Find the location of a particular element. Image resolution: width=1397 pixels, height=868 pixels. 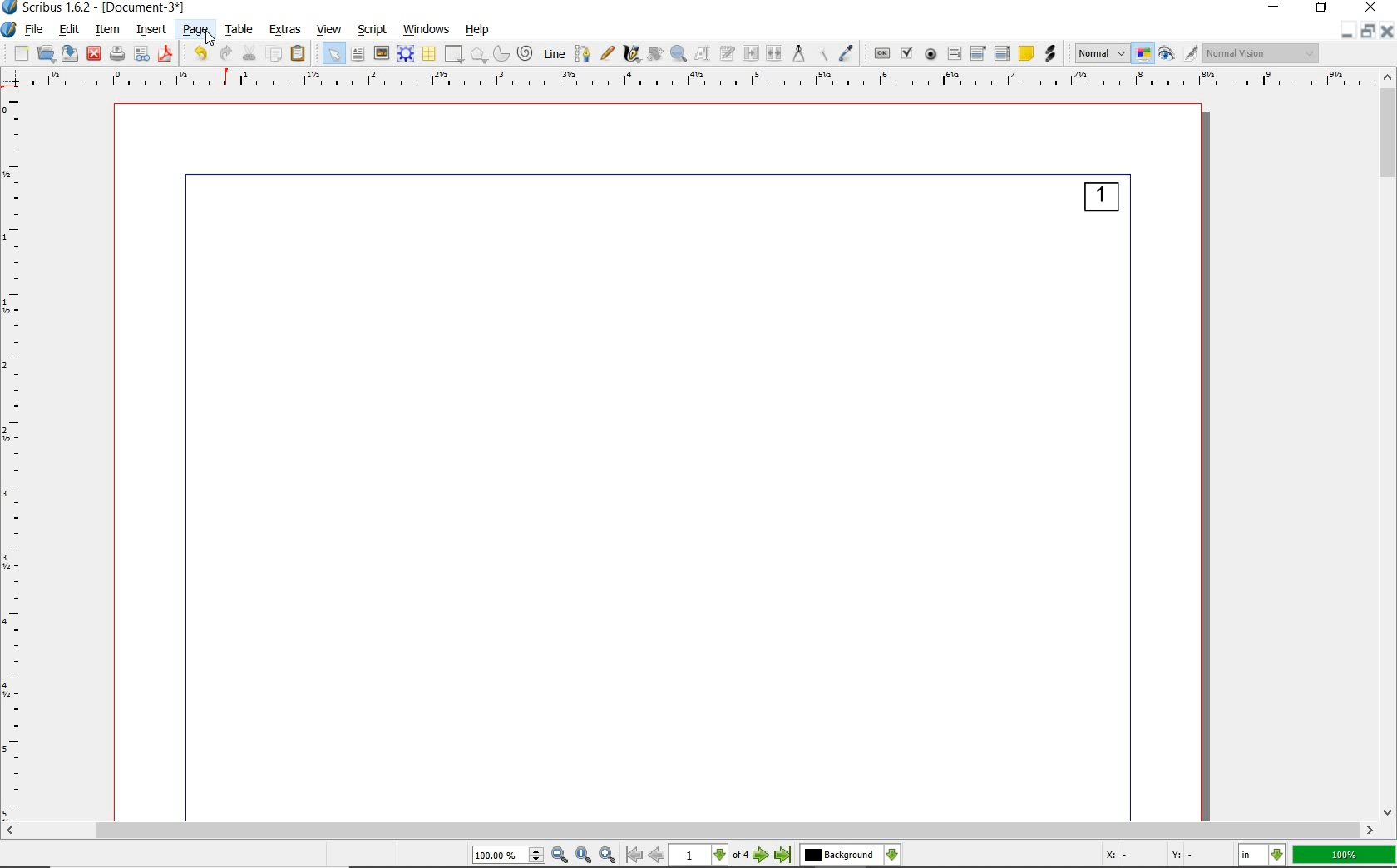

calligraphic line is located at coordinates (632, 55).